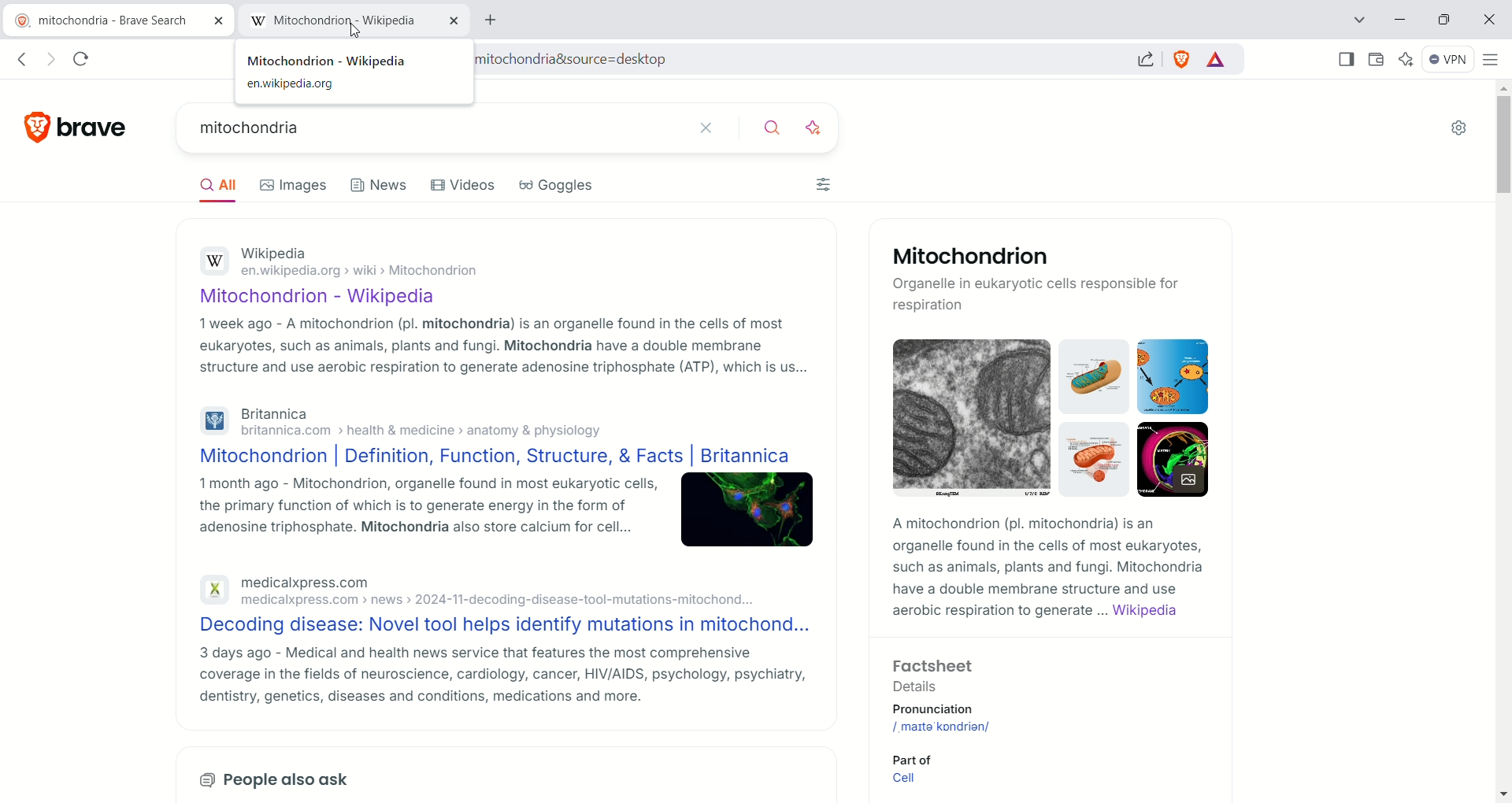  I want to click on en.wikipedia.org, so click(352, 86).